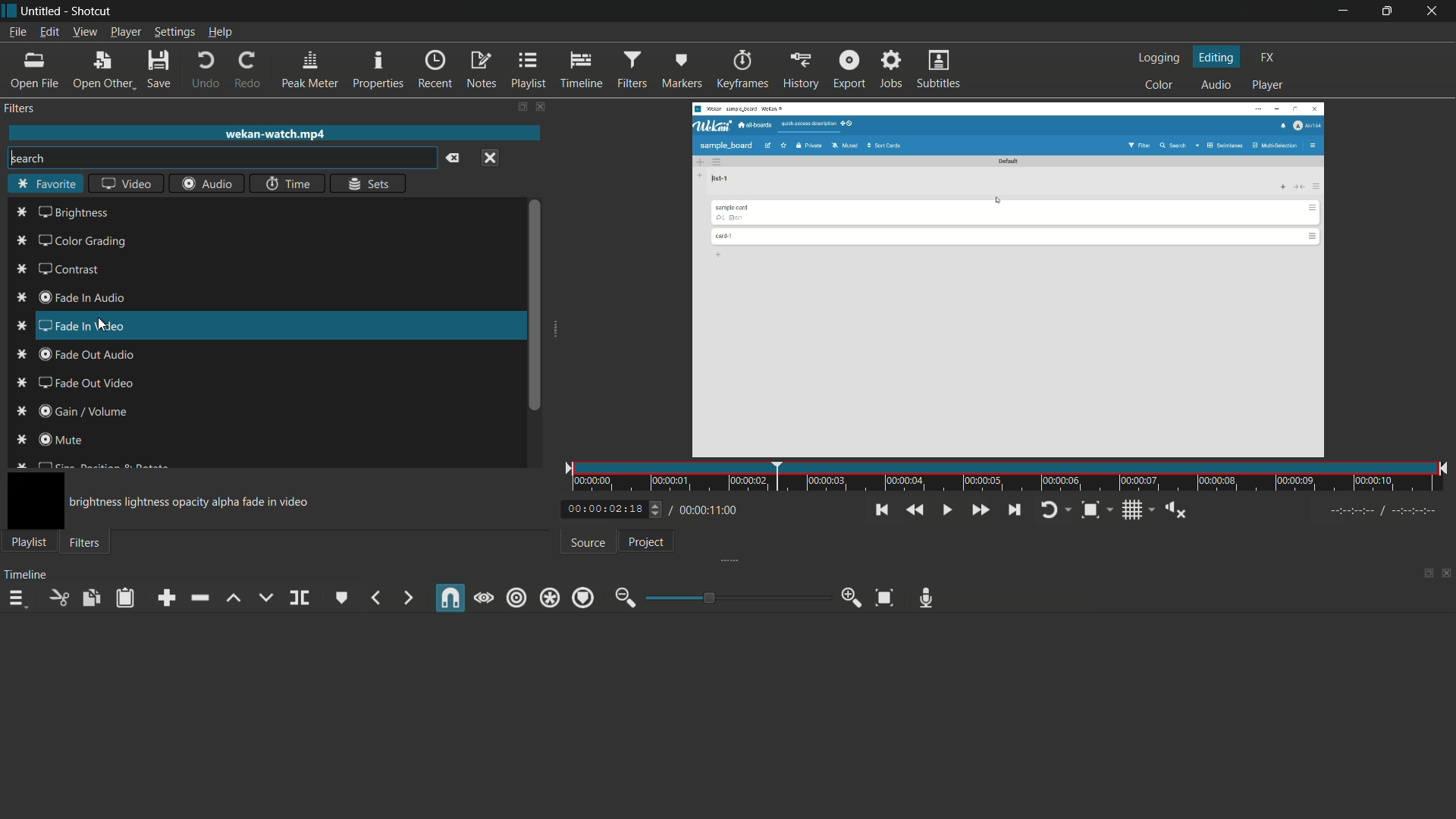  What do you see at coordinates (48, 440) in the screenshot?
I see `mute` at bounding box center [48, 440].